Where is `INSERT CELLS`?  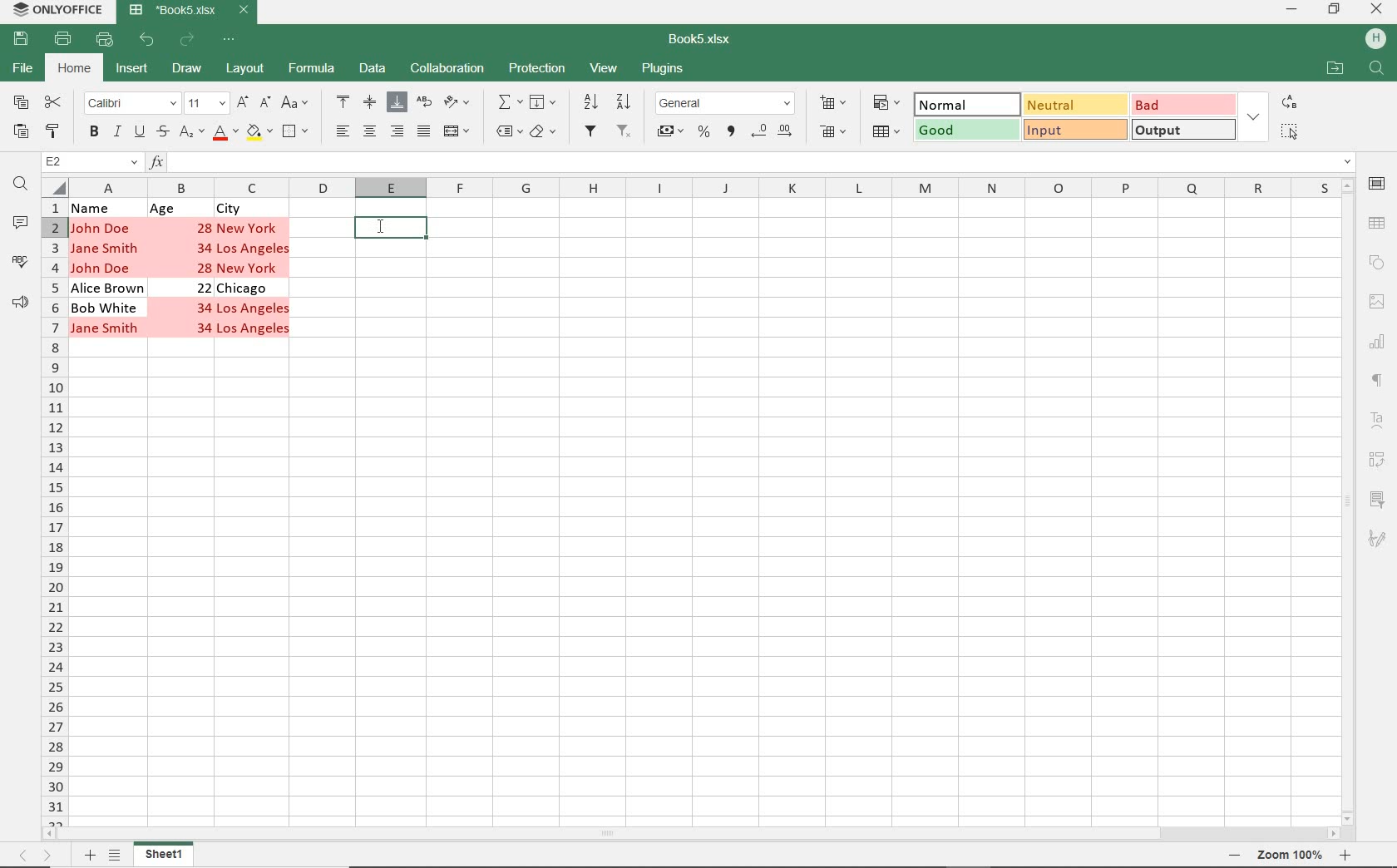 INSERT CELLS is located at coordinates (835, 104).